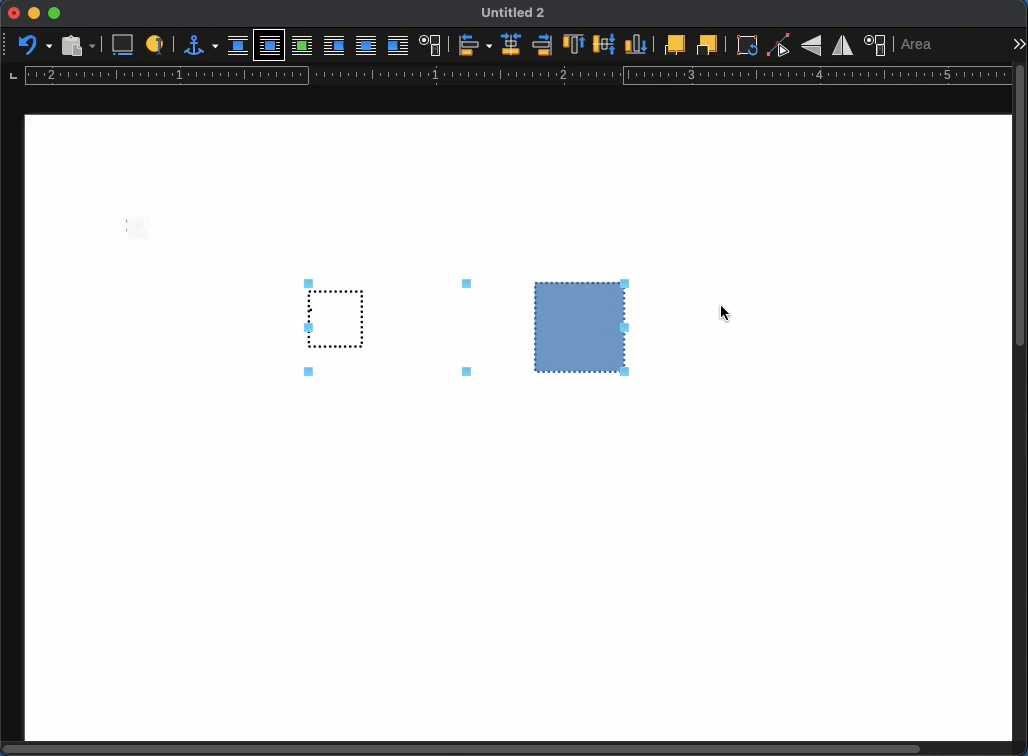  Describe the element at coordinates (398, 46) in the screenshot. I see `after` at that location.